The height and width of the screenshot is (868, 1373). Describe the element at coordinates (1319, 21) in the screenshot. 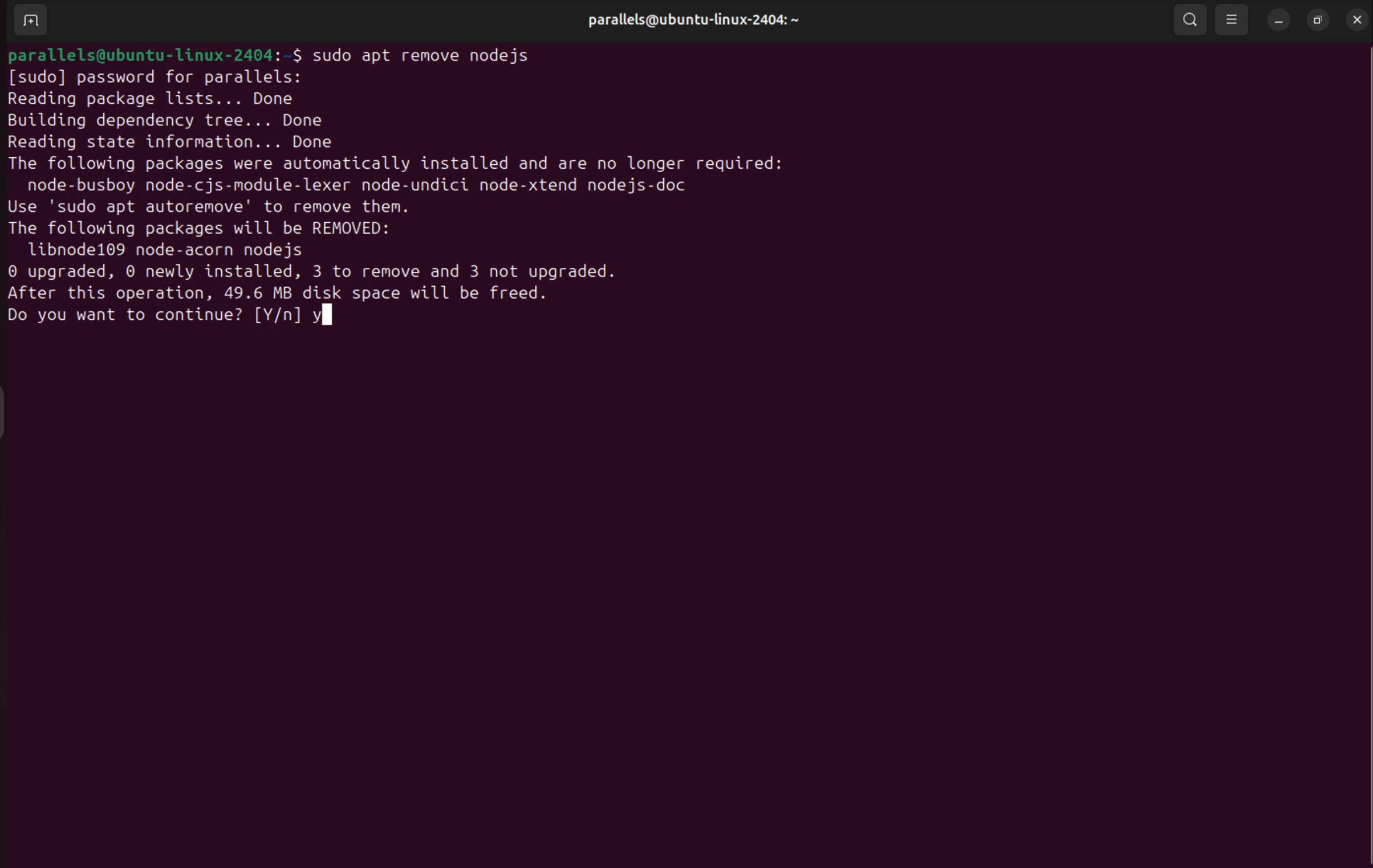

I see `resize` at that location.